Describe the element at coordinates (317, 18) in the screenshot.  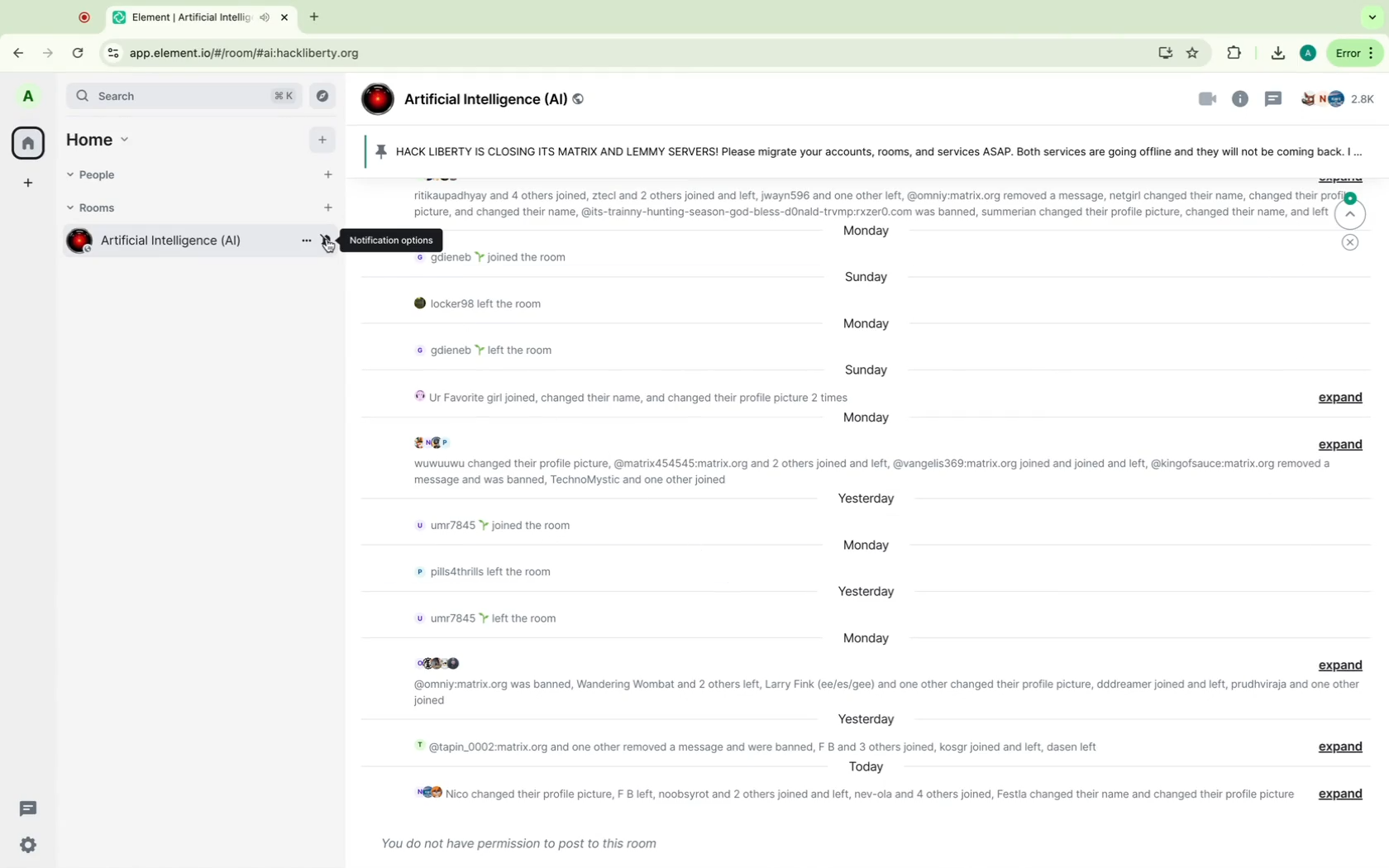
I see `new tab` at that location.